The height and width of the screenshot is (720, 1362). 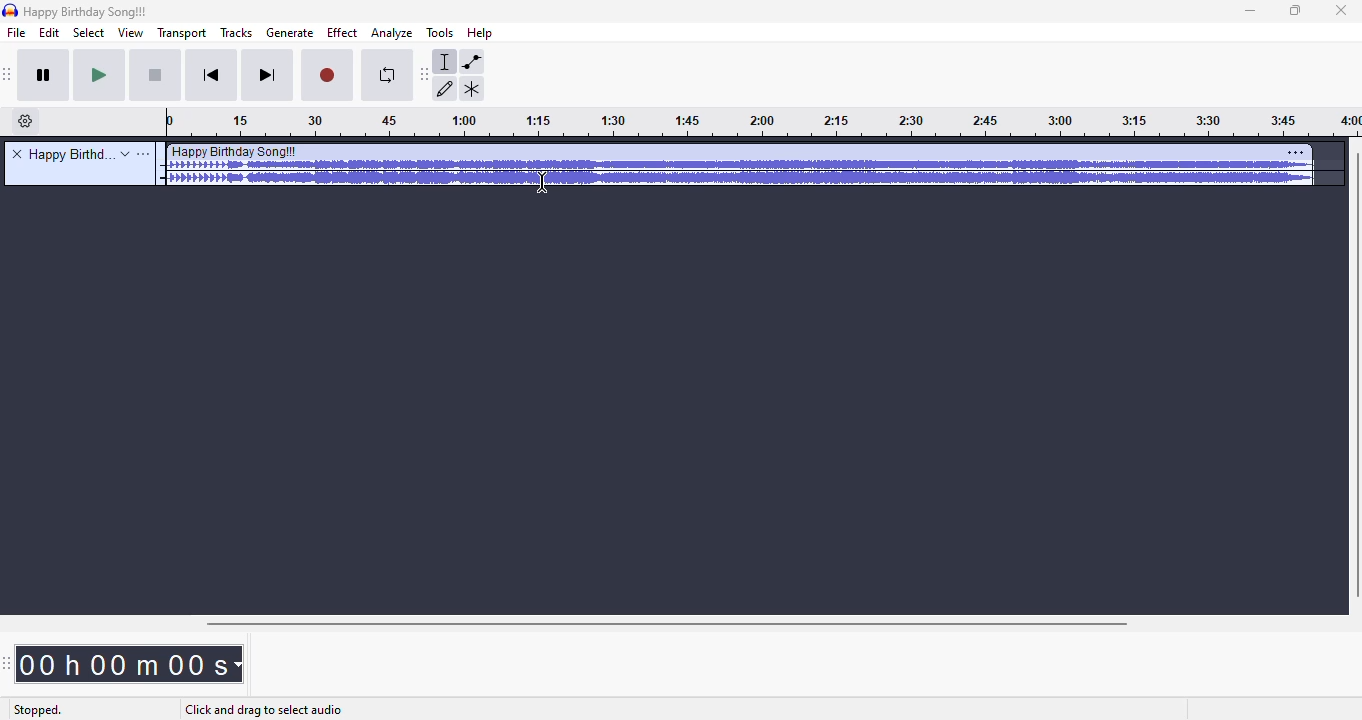 What do you see at coordinates (669, 624) in the screenshot?
I see `horizontal scroll bar` at bounding box center [669, 624].